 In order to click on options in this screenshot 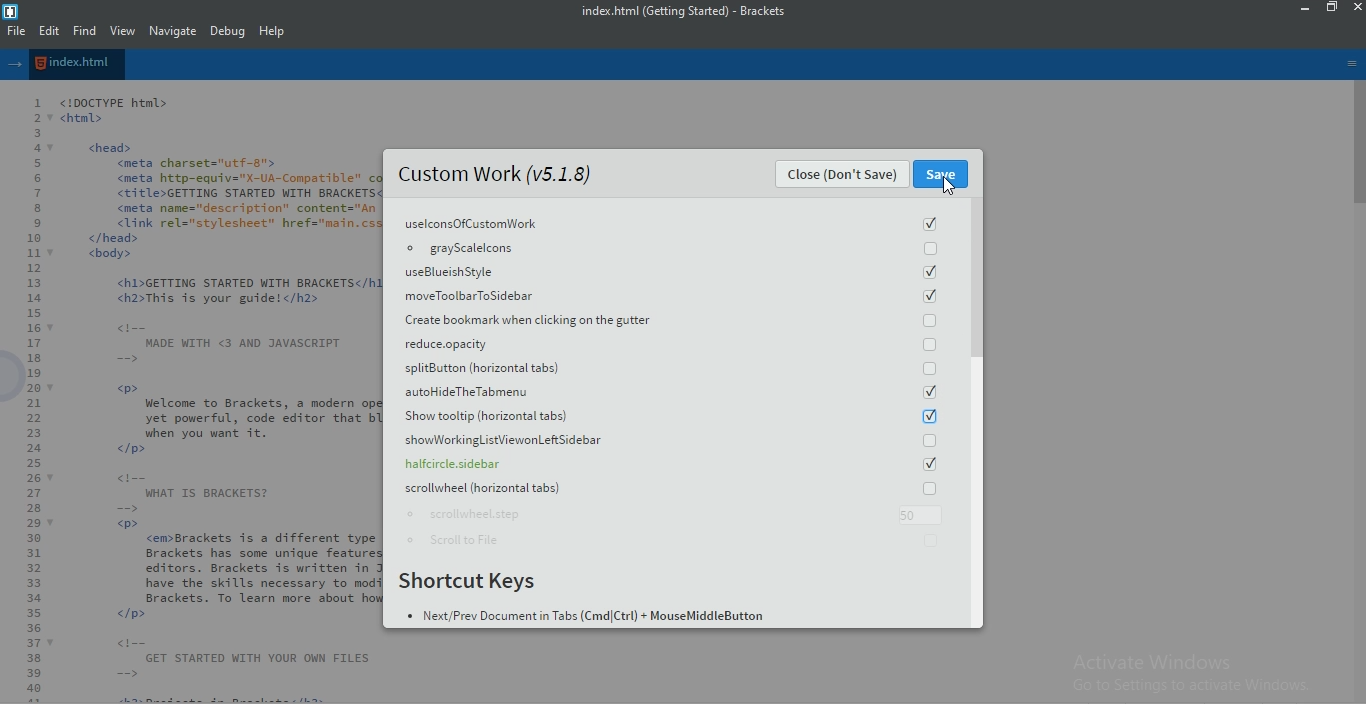, I will do `click(1352, 64)`.